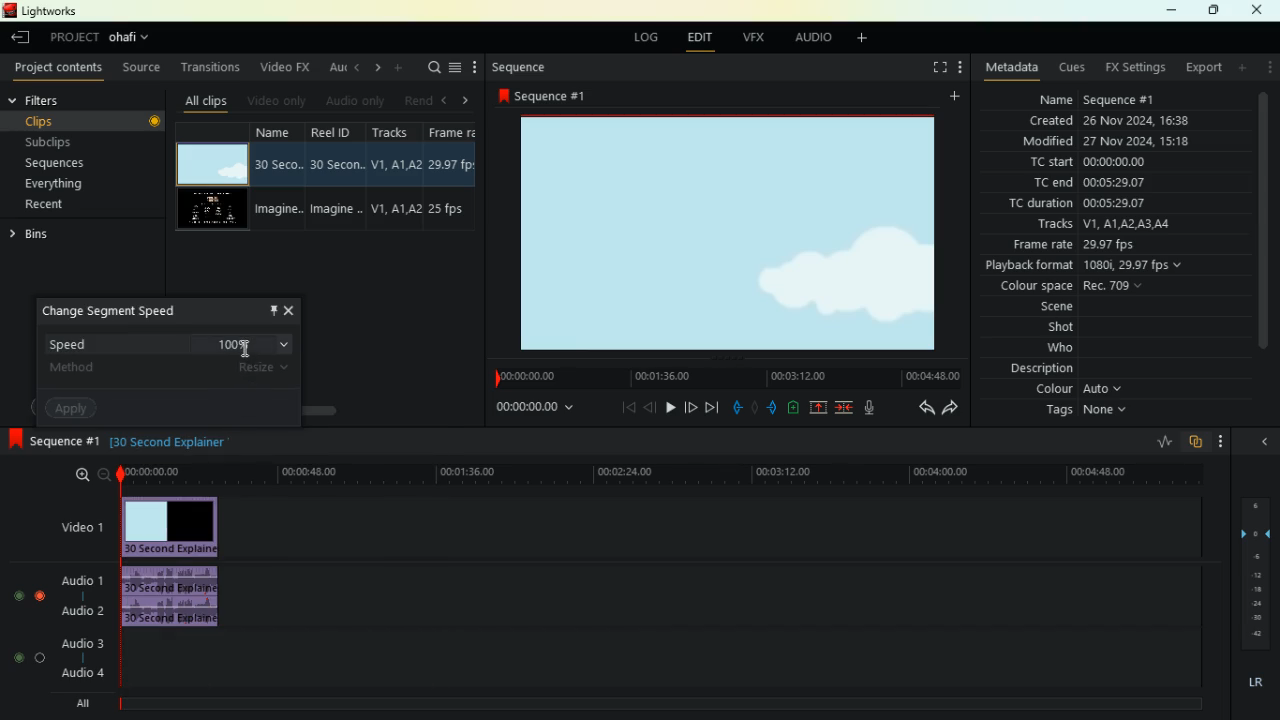  I want to click on audio3, so click(78, 642).